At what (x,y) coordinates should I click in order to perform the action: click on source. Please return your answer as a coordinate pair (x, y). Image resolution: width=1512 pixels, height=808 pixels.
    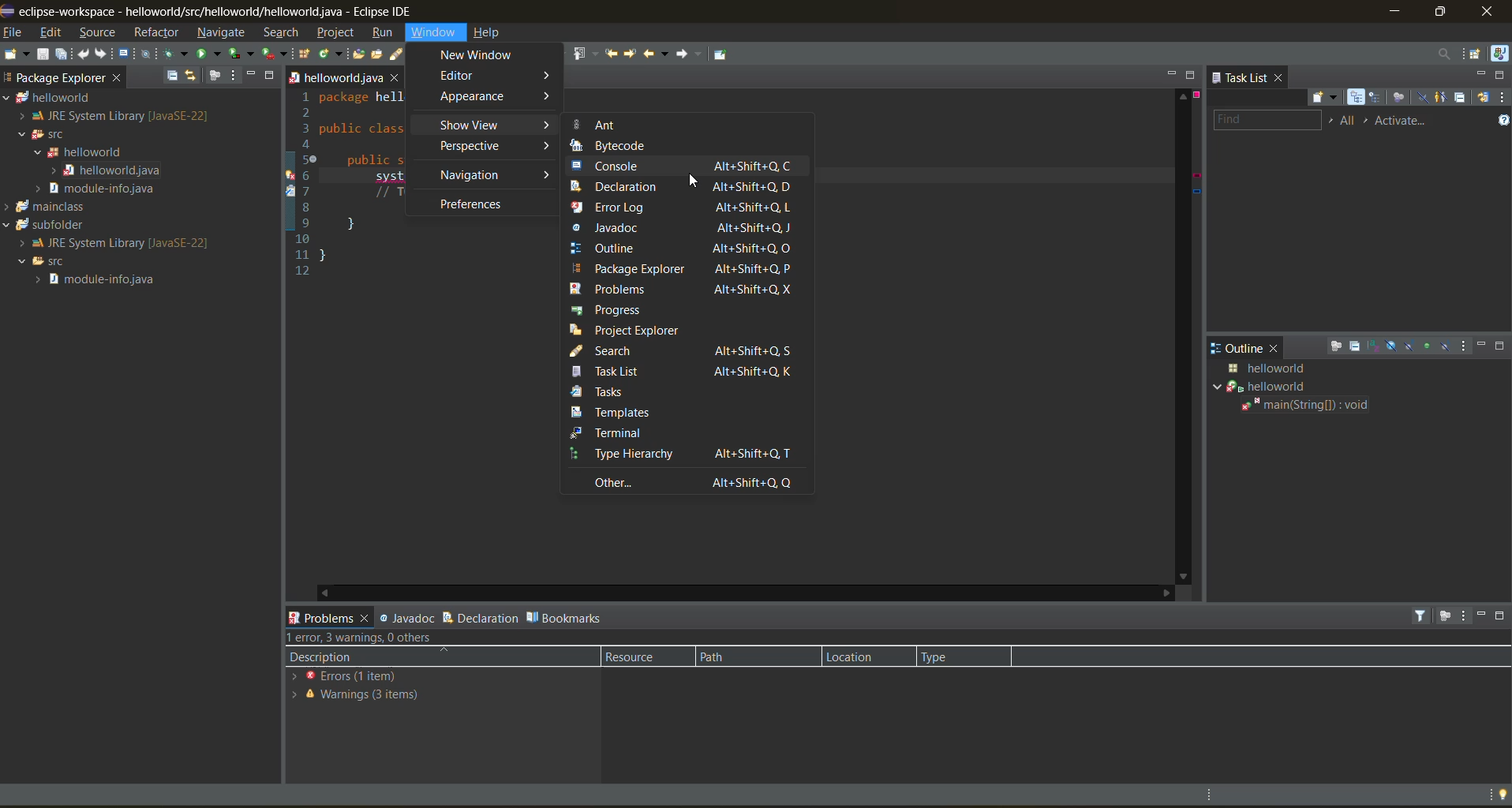
    Looking at the image, I should click on (99, 34).